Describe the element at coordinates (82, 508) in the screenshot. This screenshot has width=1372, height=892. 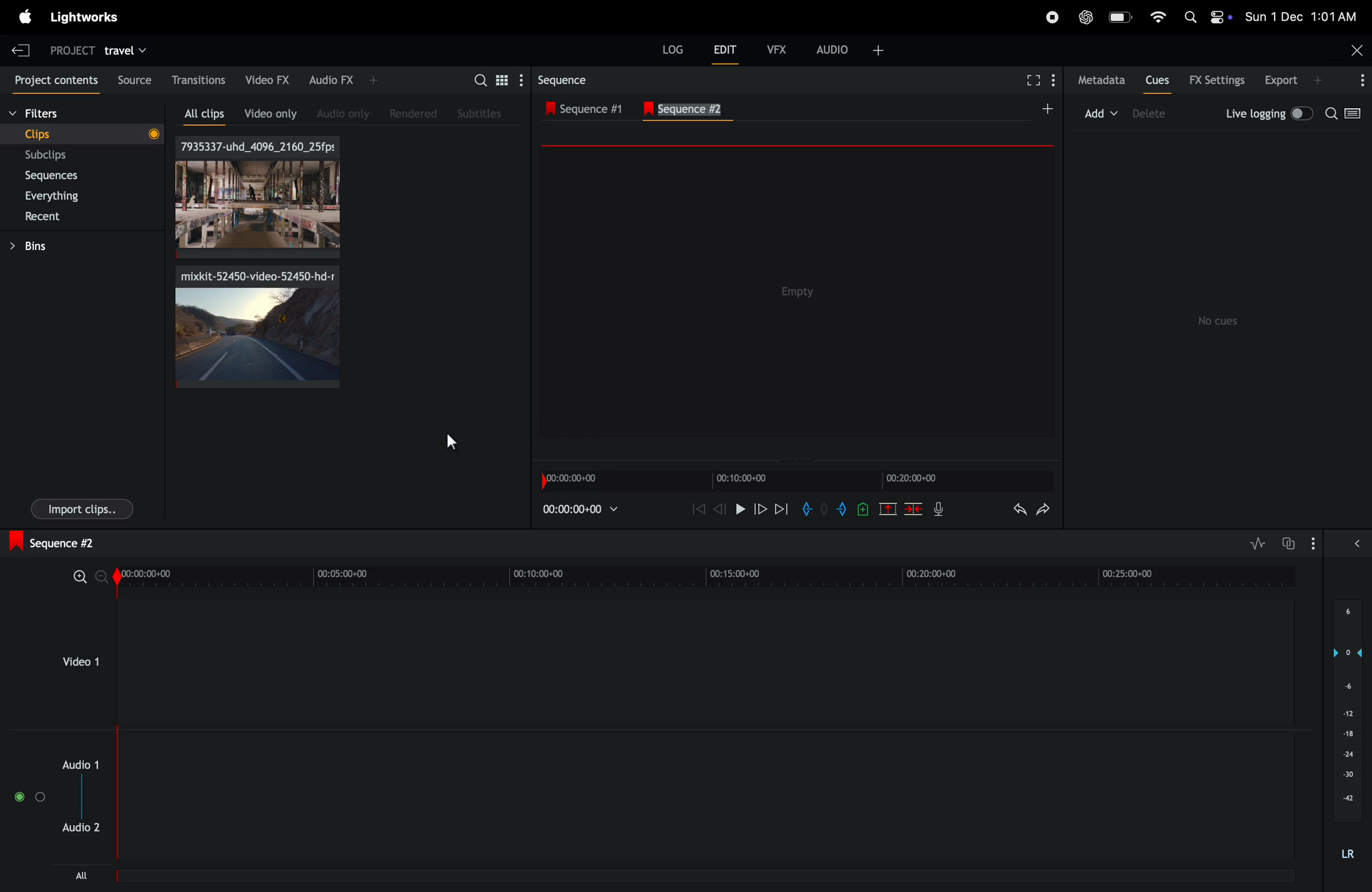
I see `import clips` at that location.